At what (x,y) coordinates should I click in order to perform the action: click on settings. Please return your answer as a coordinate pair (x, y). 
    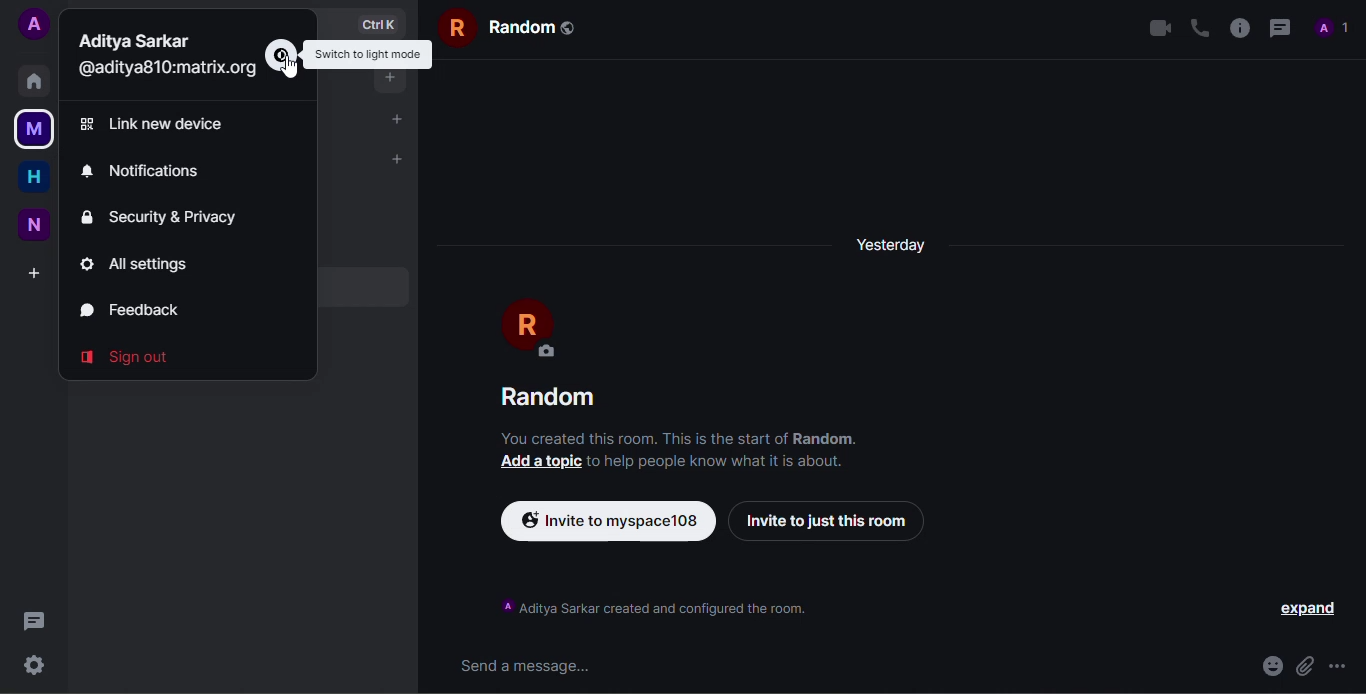
    Looking at the image, I should click on (32, 665).